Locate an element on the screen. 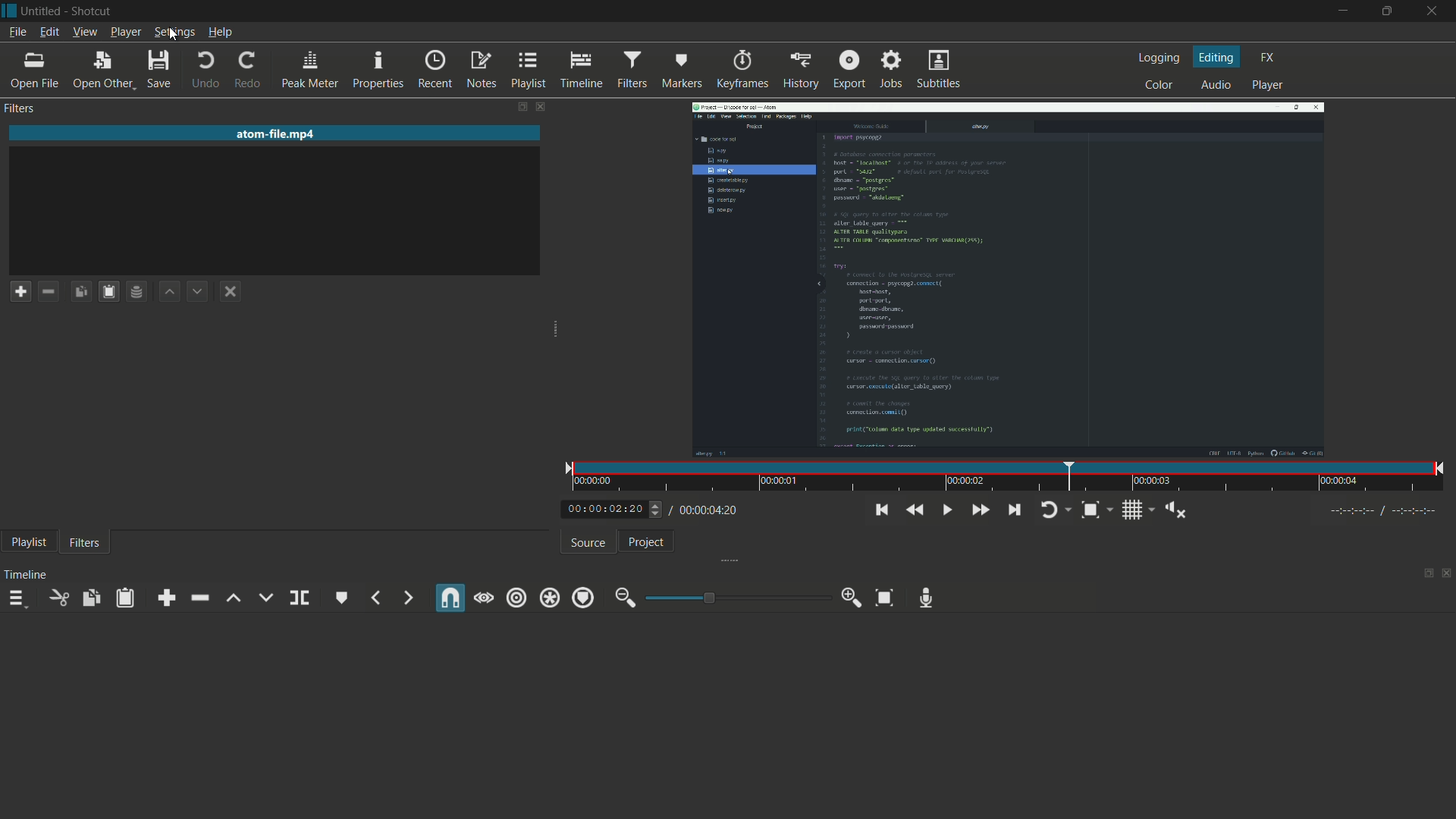 This screenshot has width=1456, height=819. move filter up is located at coordinates (171, 290).